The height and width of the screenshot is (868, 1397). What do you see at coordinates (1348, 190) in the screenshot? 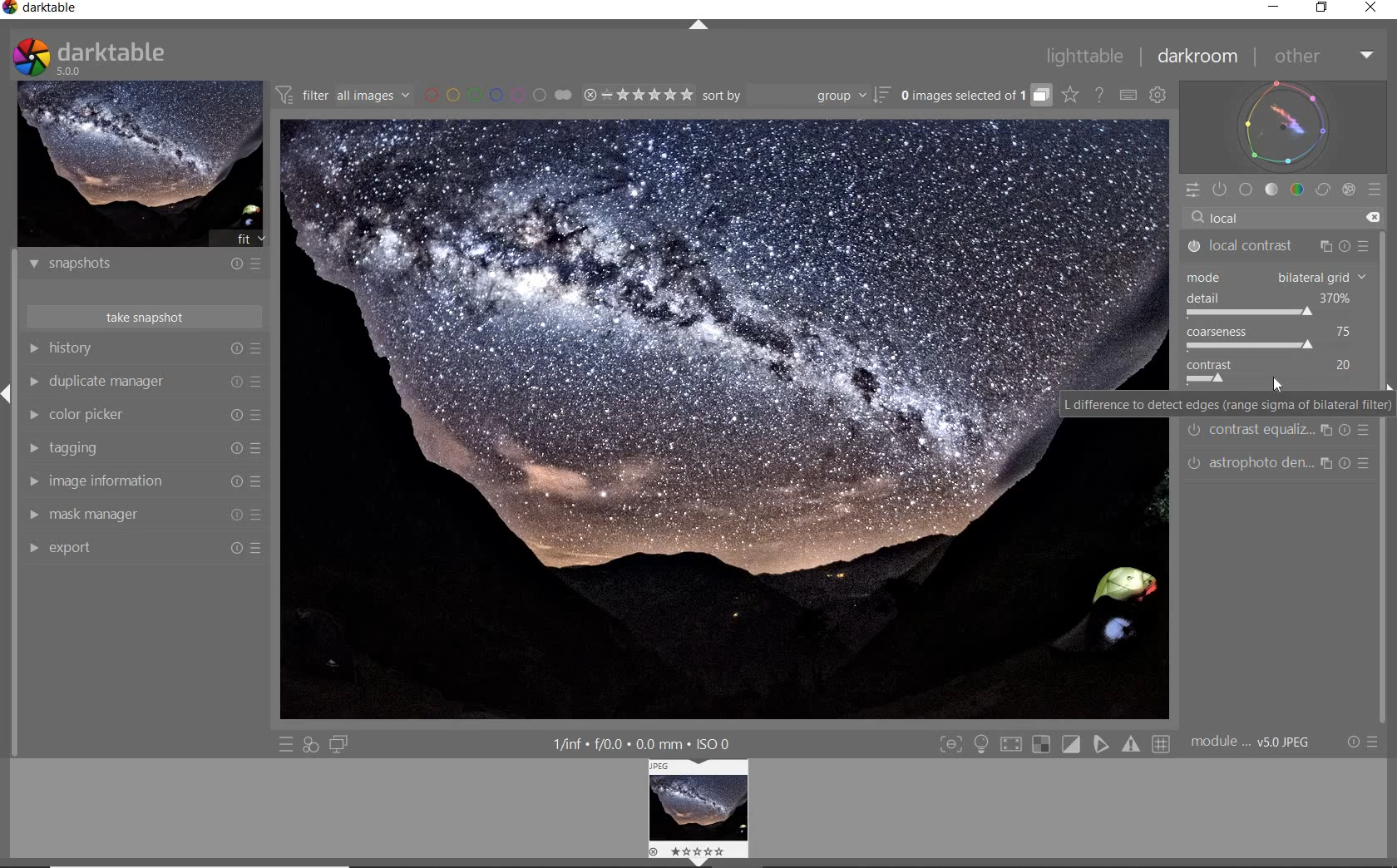
I see `EFFECT` at bounding box center [1348, 190].